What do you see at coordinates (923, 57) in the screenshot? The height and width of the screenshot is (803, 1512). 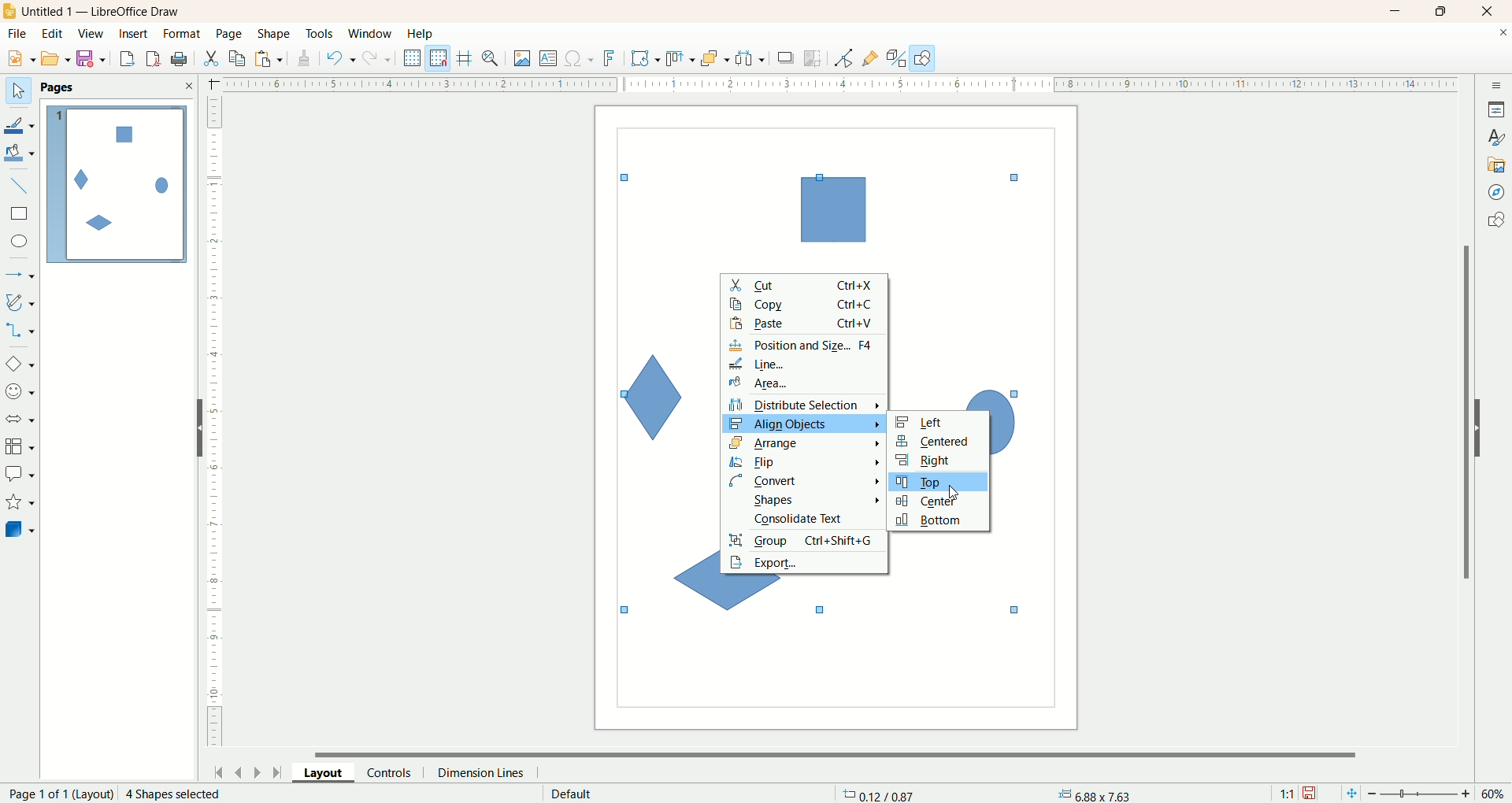 I see `draw function` at bounding box center [923, 57].